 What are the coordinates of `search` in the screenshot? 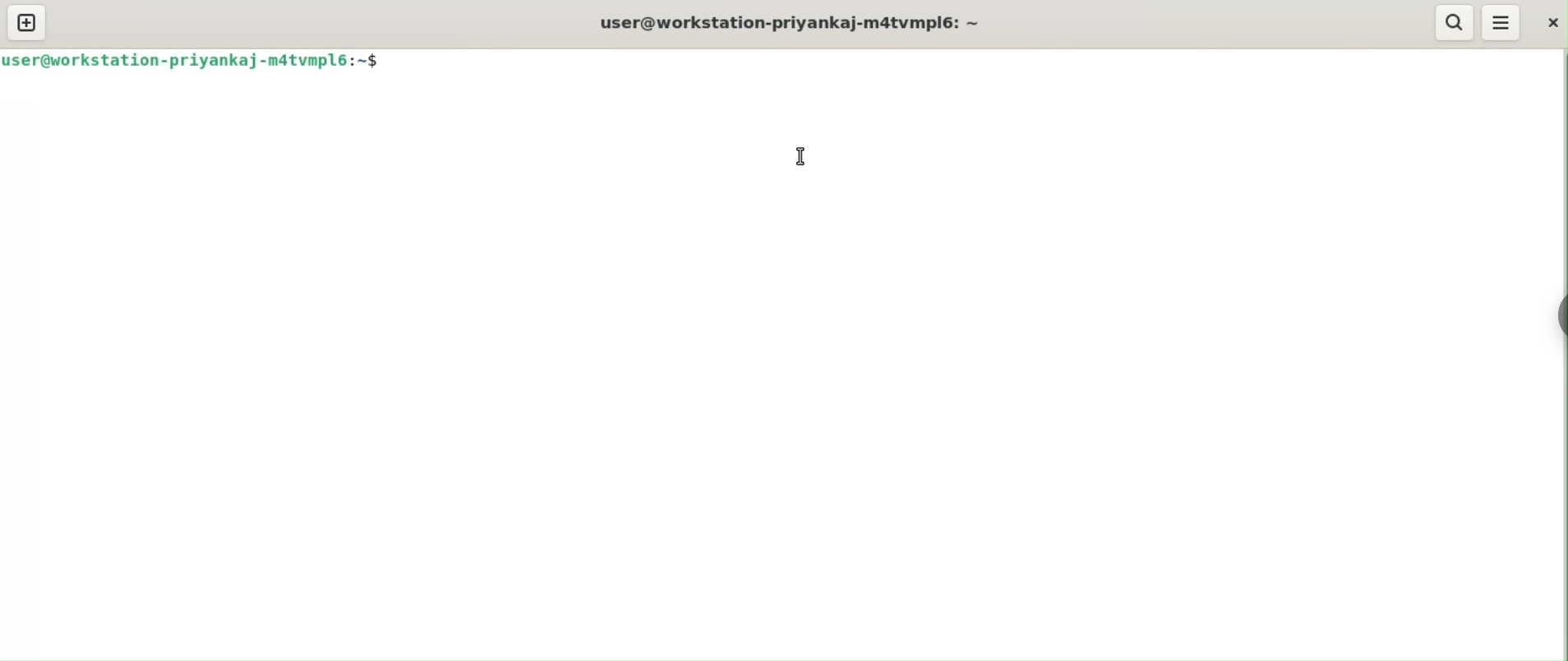 It's located at (1454, 21).